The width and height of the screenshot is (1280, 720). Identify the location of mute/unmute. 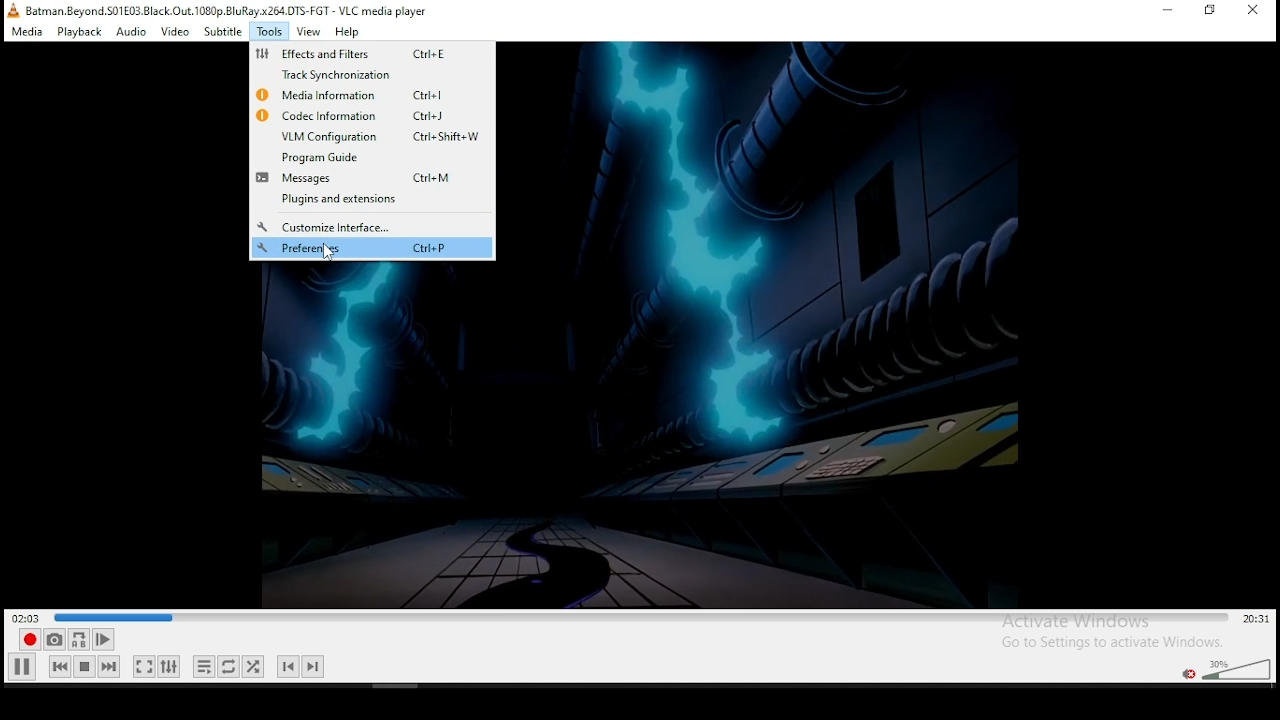
(1187, 673).